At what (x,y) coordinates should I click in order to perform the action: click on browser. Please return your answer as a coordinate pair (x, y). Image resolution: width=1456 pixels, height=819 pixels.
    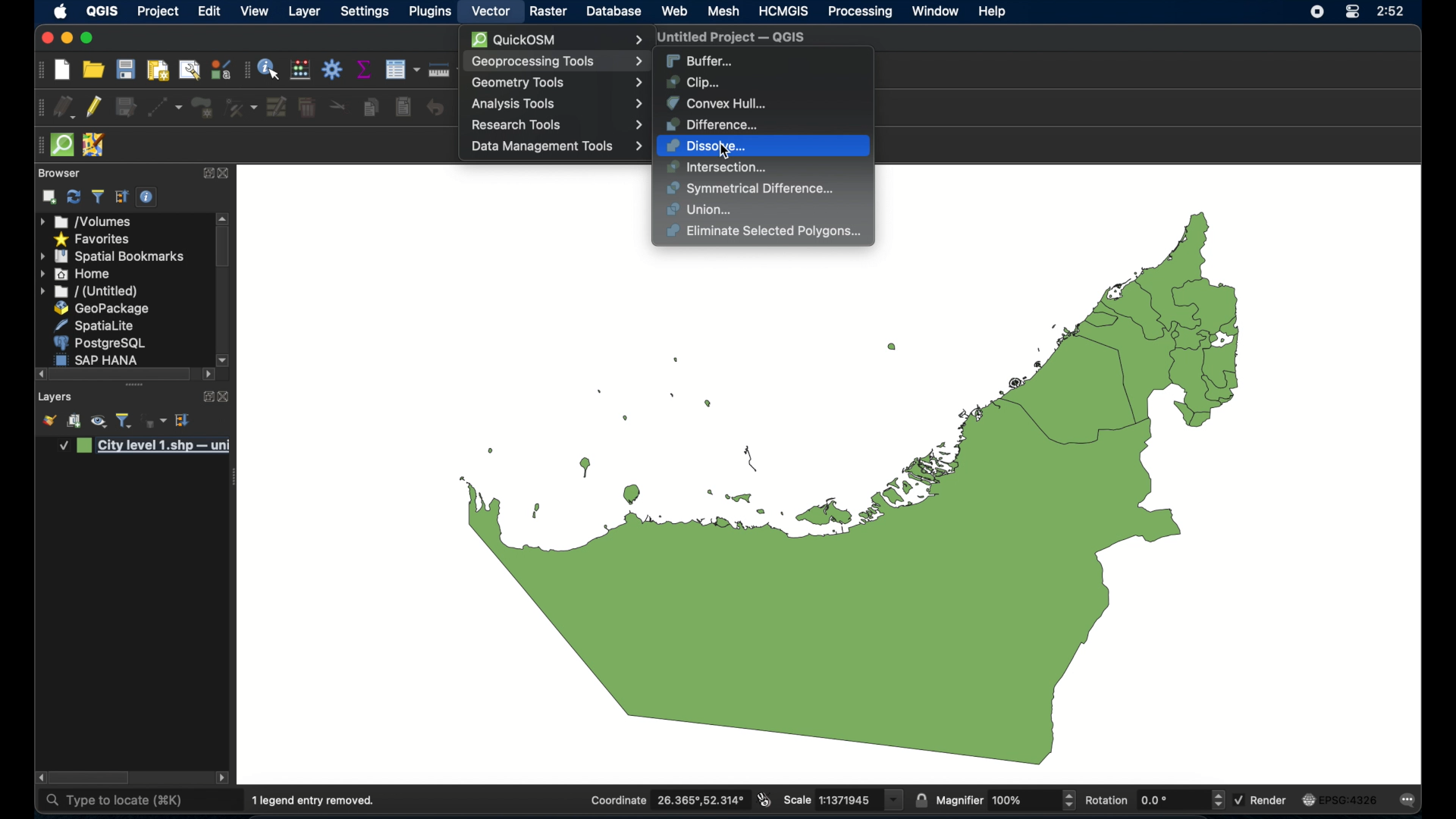
    Looking at the image, I should click on (57, 172).